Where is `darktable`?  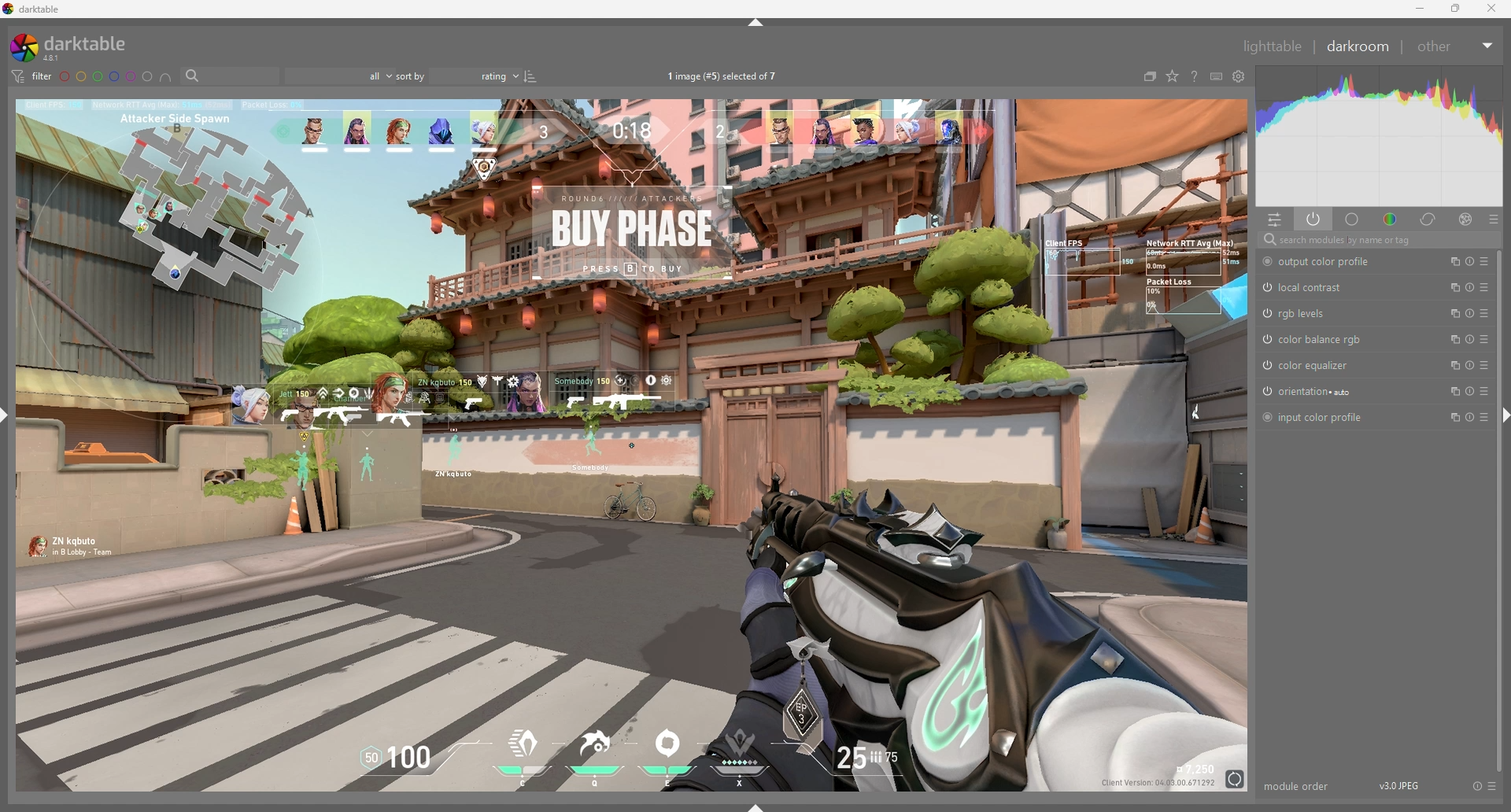 darktable is located at coordinates (35, 9).